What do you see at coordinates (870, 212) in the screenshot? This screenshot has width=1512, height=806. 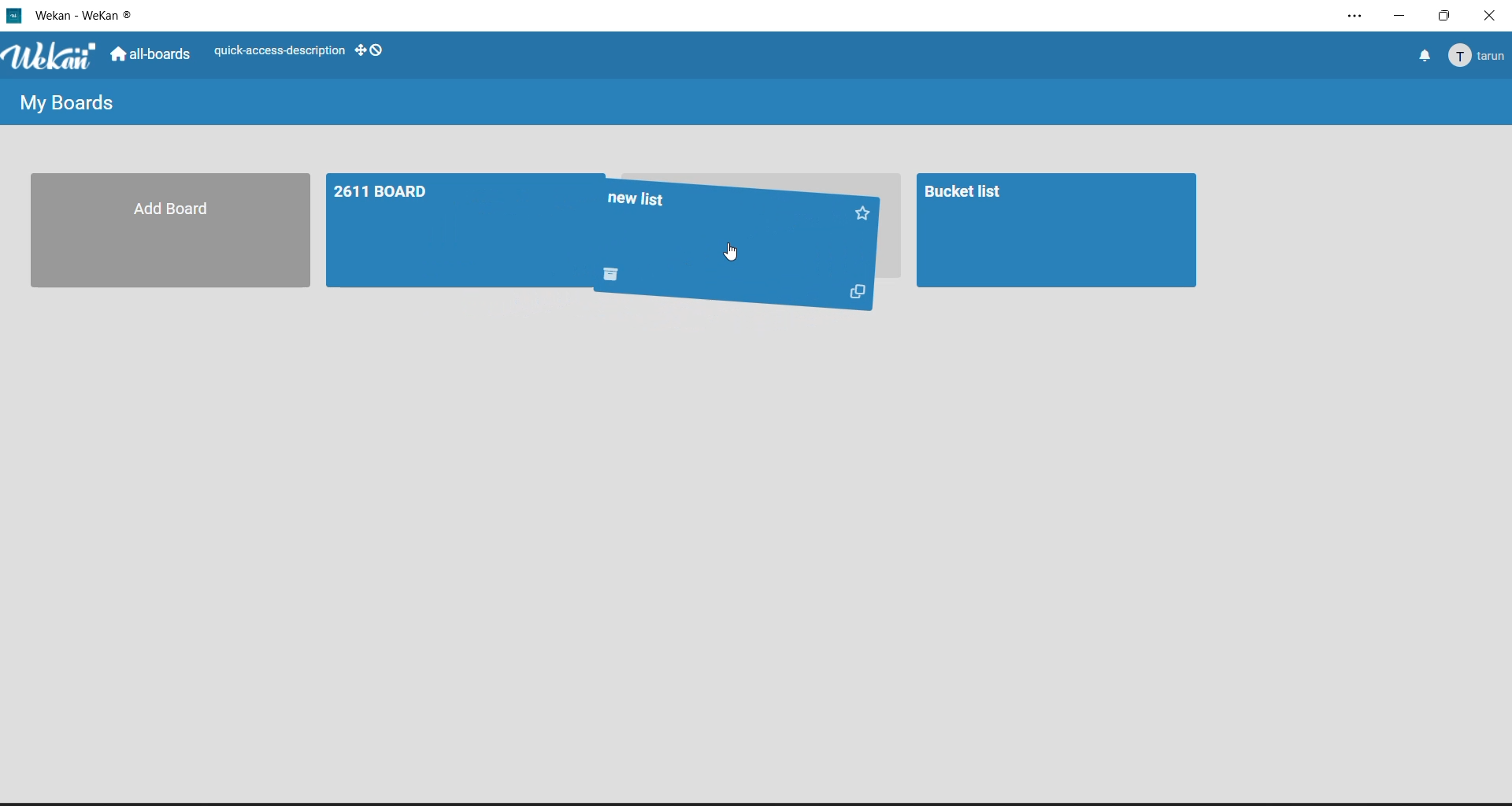 I see `Favorite` at bounding box center [870, 212].